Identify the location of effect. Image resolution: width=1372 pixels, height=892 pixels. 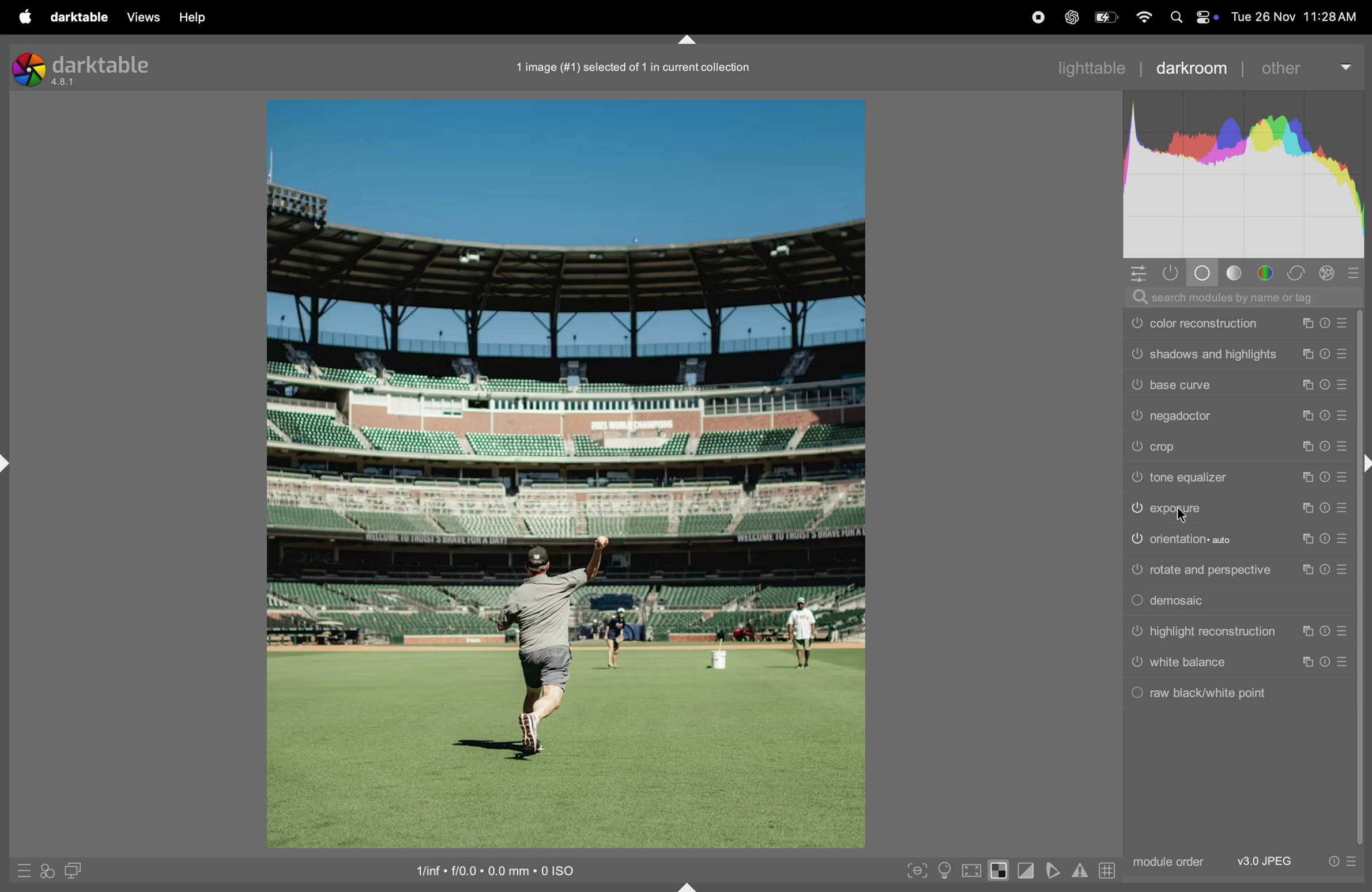
(1328, 273).